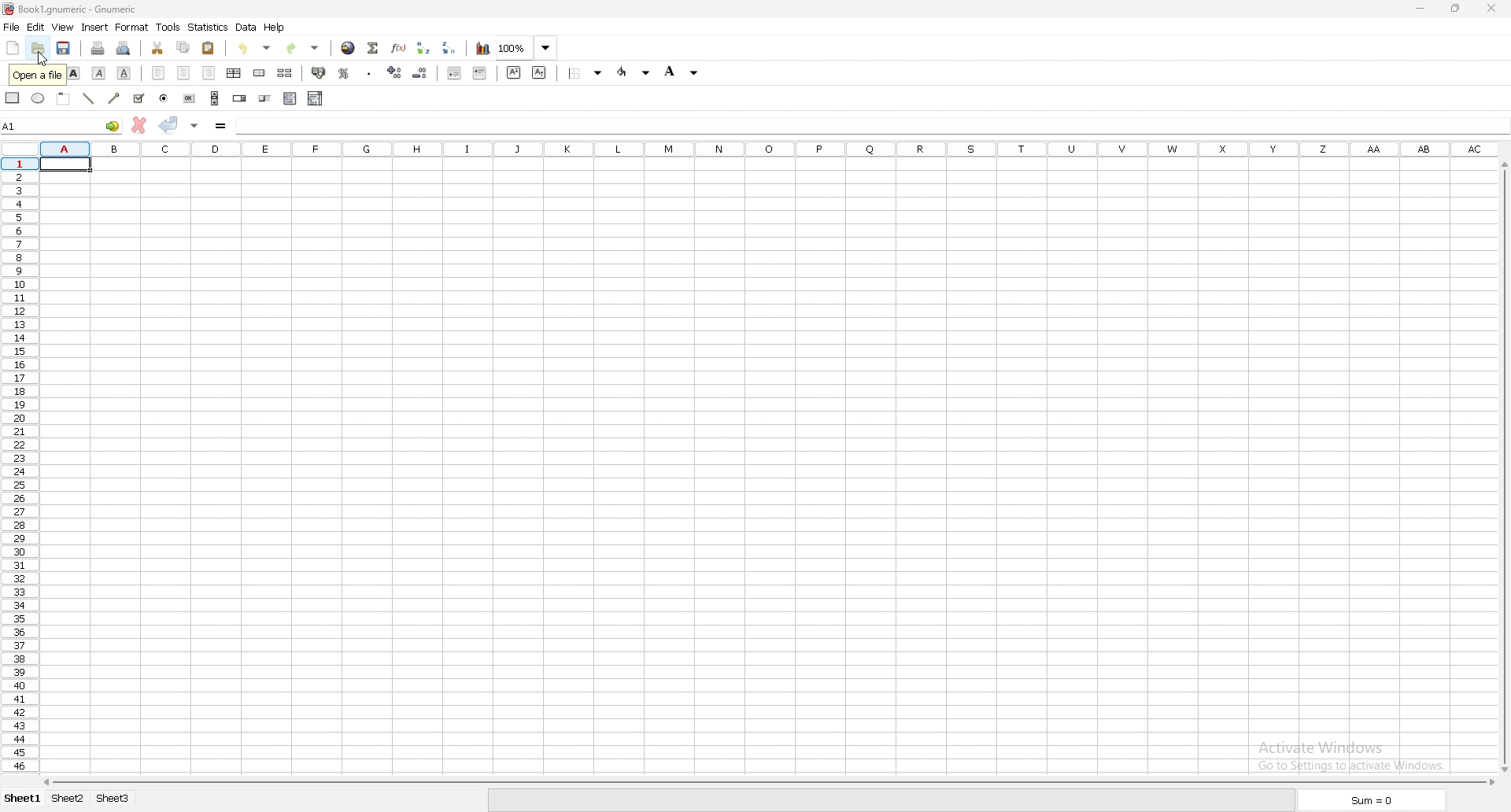  What do you see at coordinates (209, 27) in the screenshot?
I see `statistics` at bounding box center [209, 27].